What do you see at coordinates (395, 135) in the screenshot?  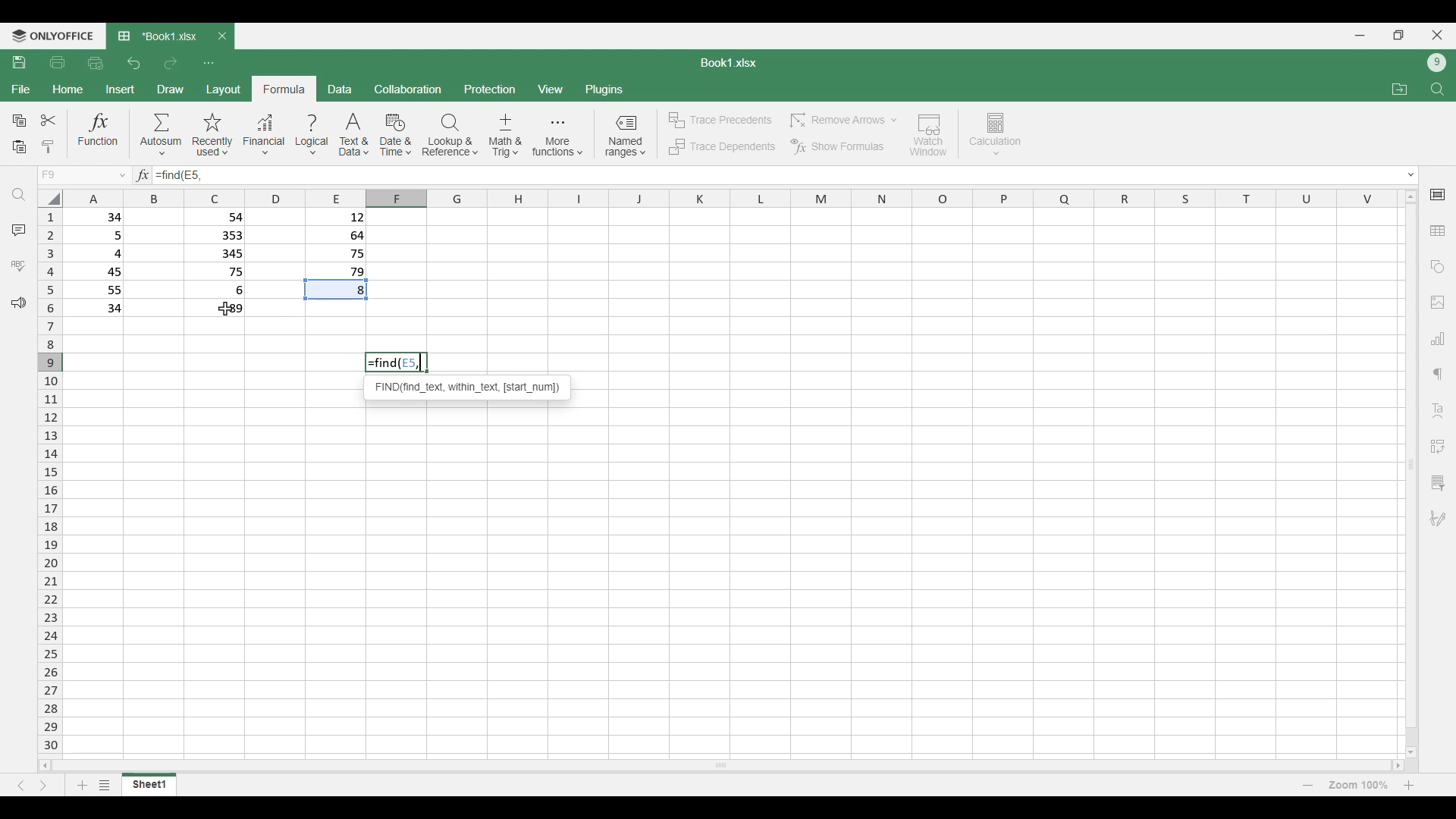 I see `Date and time` at bounding box center [395, 135].